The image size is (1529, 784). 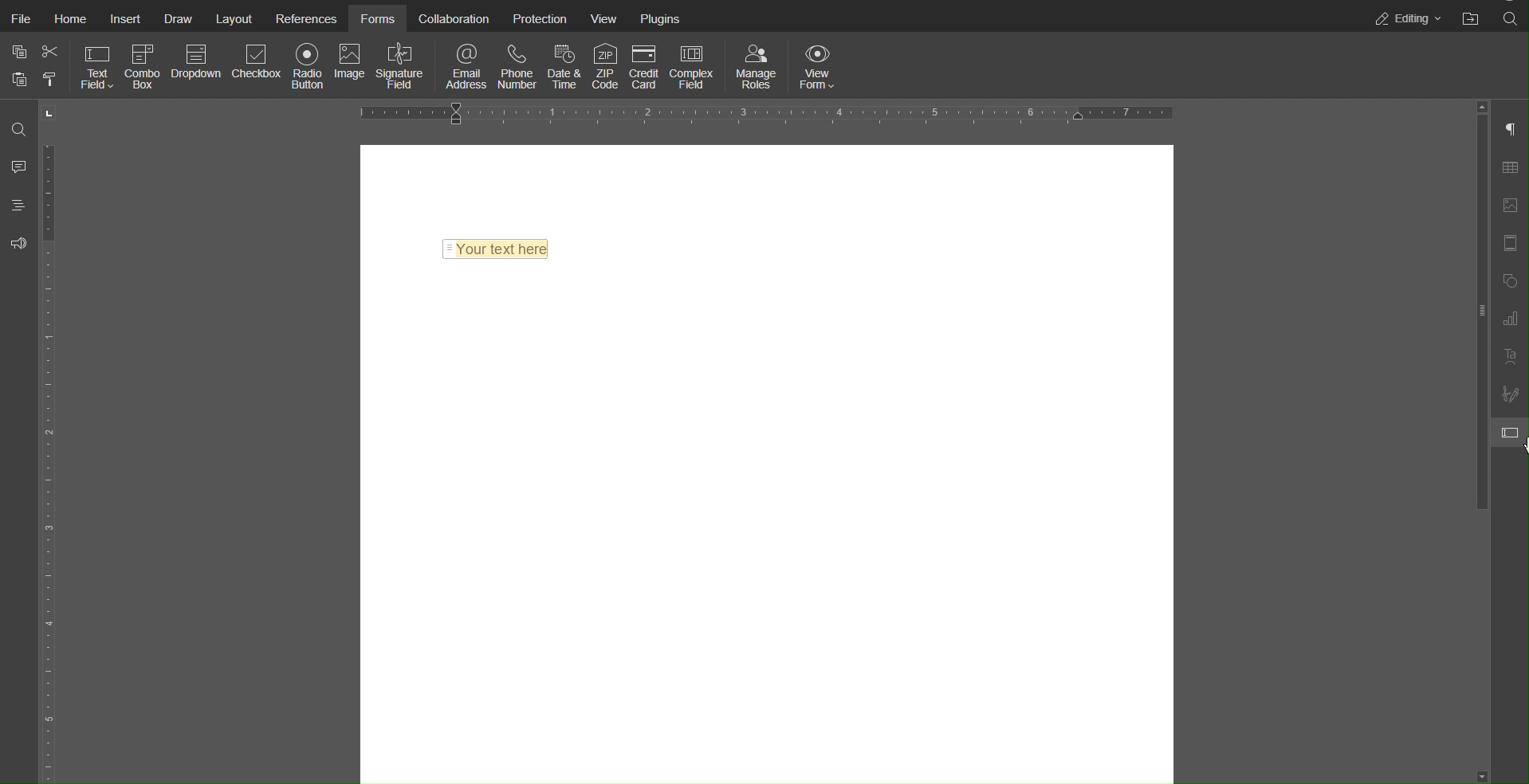 What do you see at coordinates (645, 66) in the screenshot?
I see `Credit Card` at bounding box center [645, 66].